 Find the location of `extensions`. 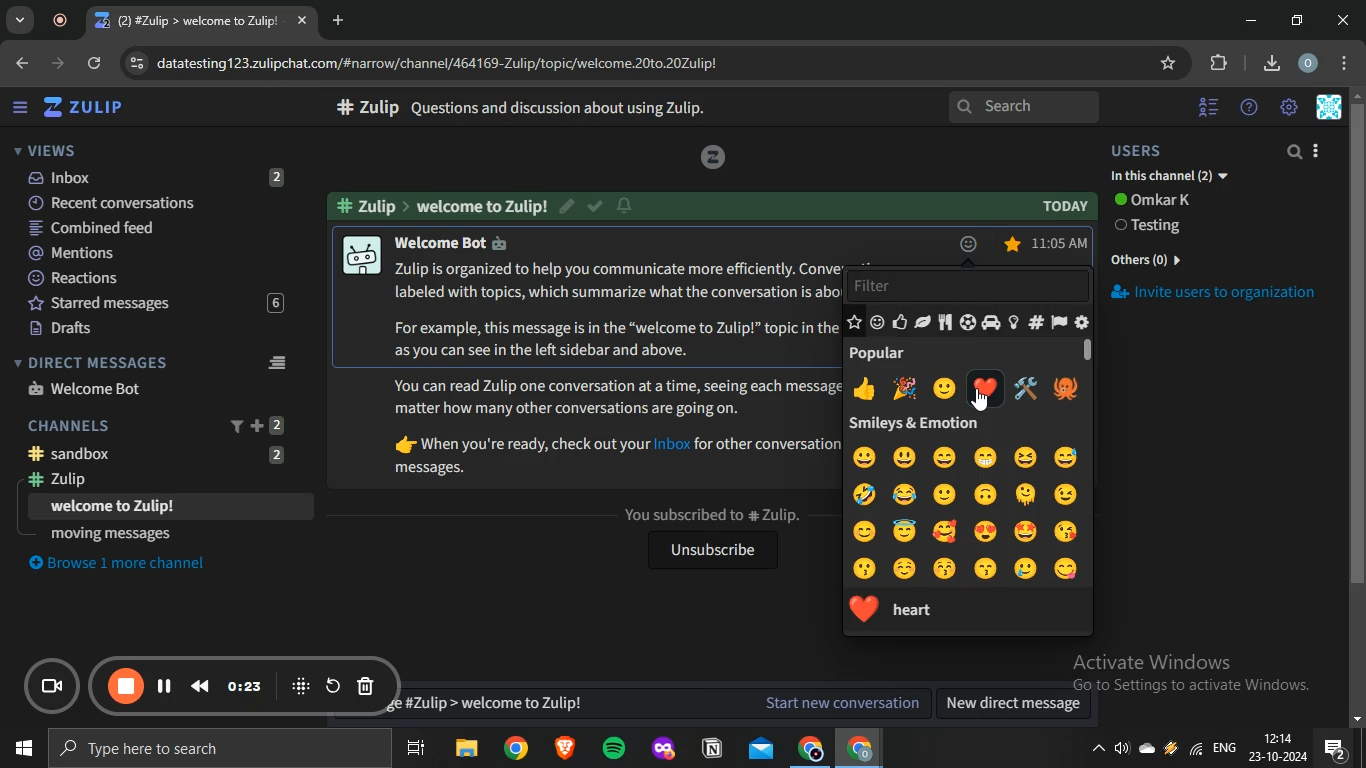

extensions is located at coordinates (1220, 63).